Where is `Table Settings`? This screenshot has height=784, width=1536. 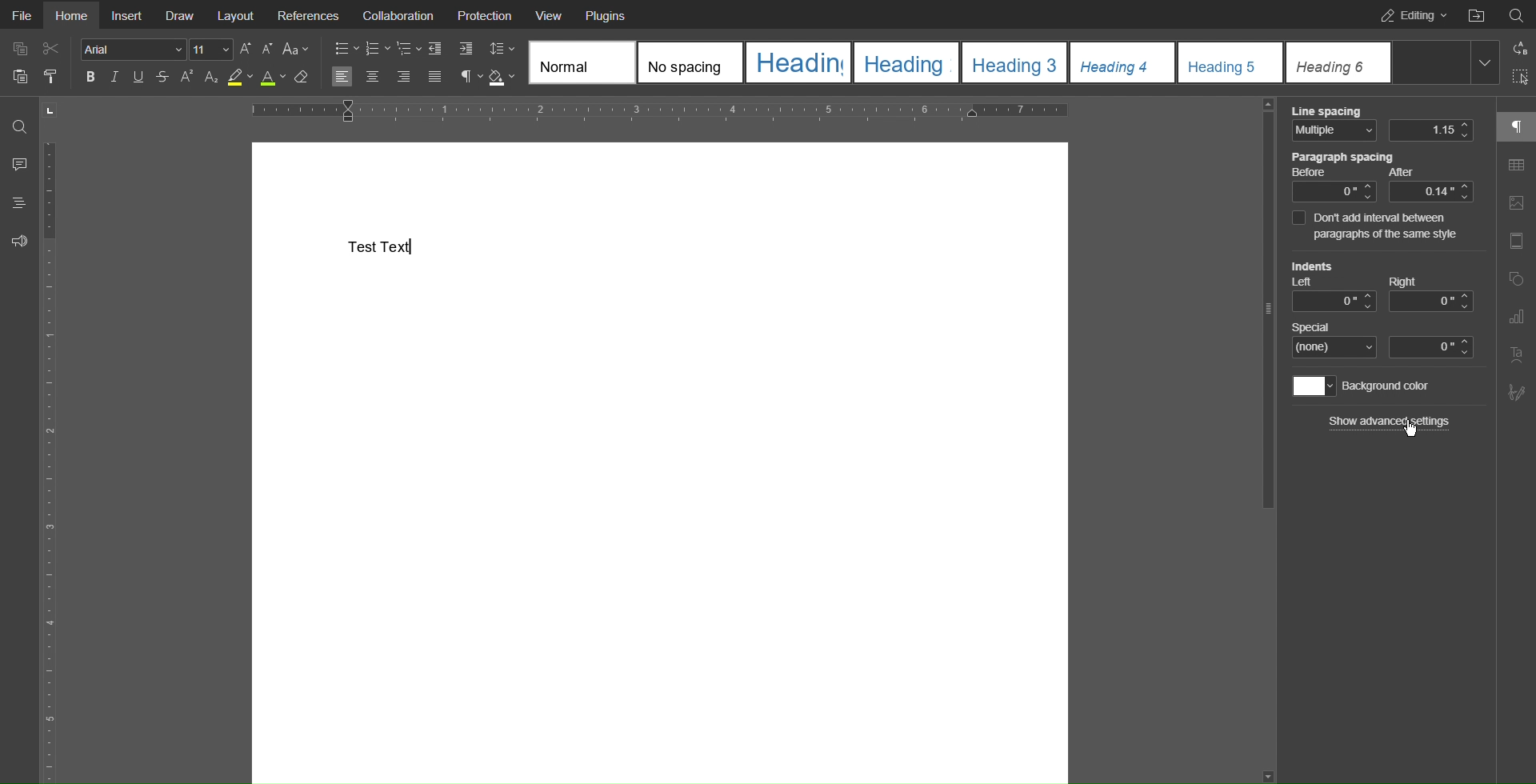 Table Settings is located at coordinates (1516, 166).